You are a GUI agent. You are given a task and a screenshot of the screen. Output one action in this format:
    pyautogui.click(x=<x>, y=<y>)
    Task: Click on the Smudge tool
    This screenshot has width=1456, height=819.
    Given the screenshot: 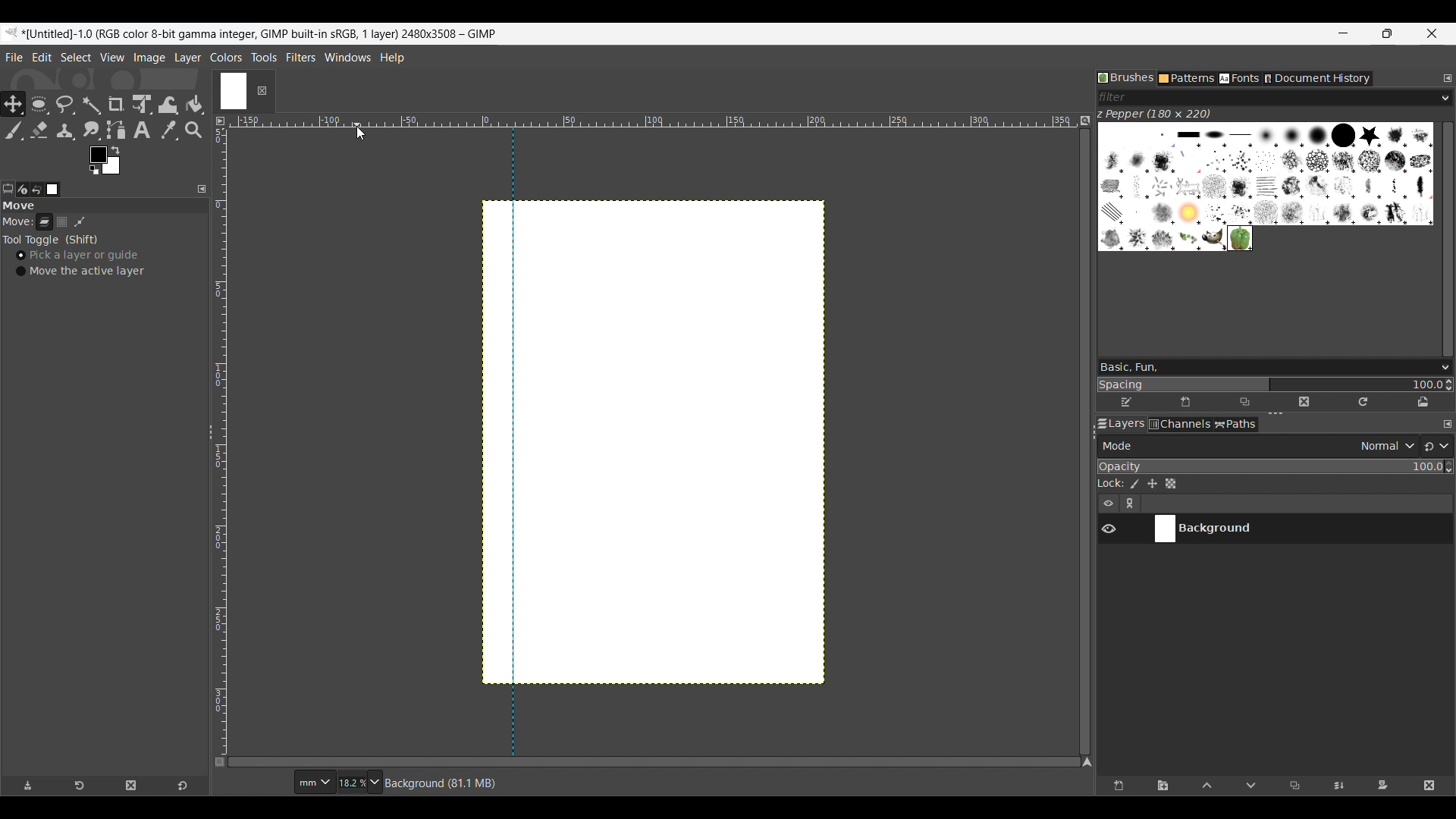 What is the action you would take?
    pyautogui.click(x=91, y=130)
    